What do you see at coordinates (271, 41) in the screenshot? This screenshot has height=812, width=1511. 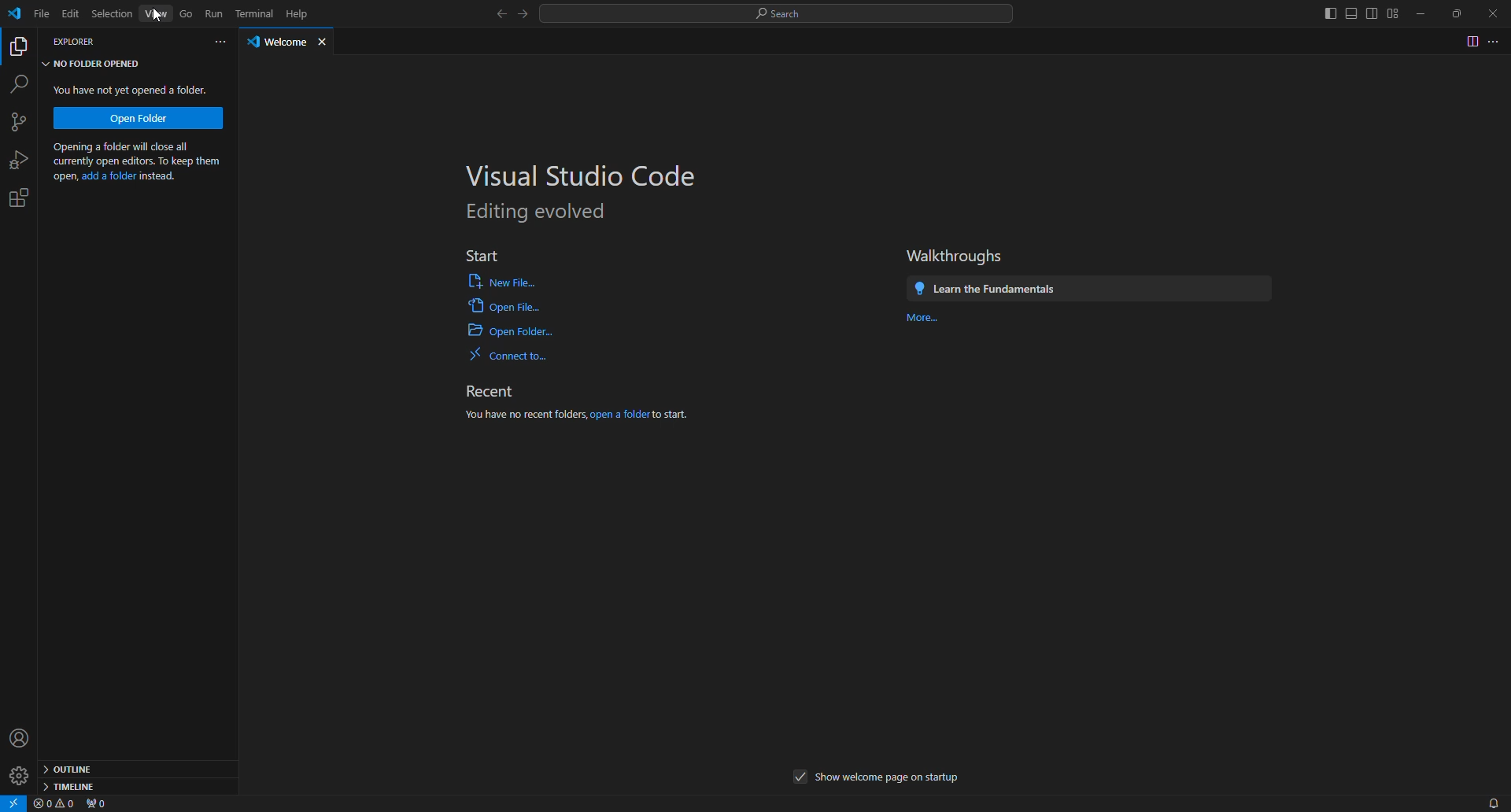 I see `welcome` at bounding box center [271, 41].